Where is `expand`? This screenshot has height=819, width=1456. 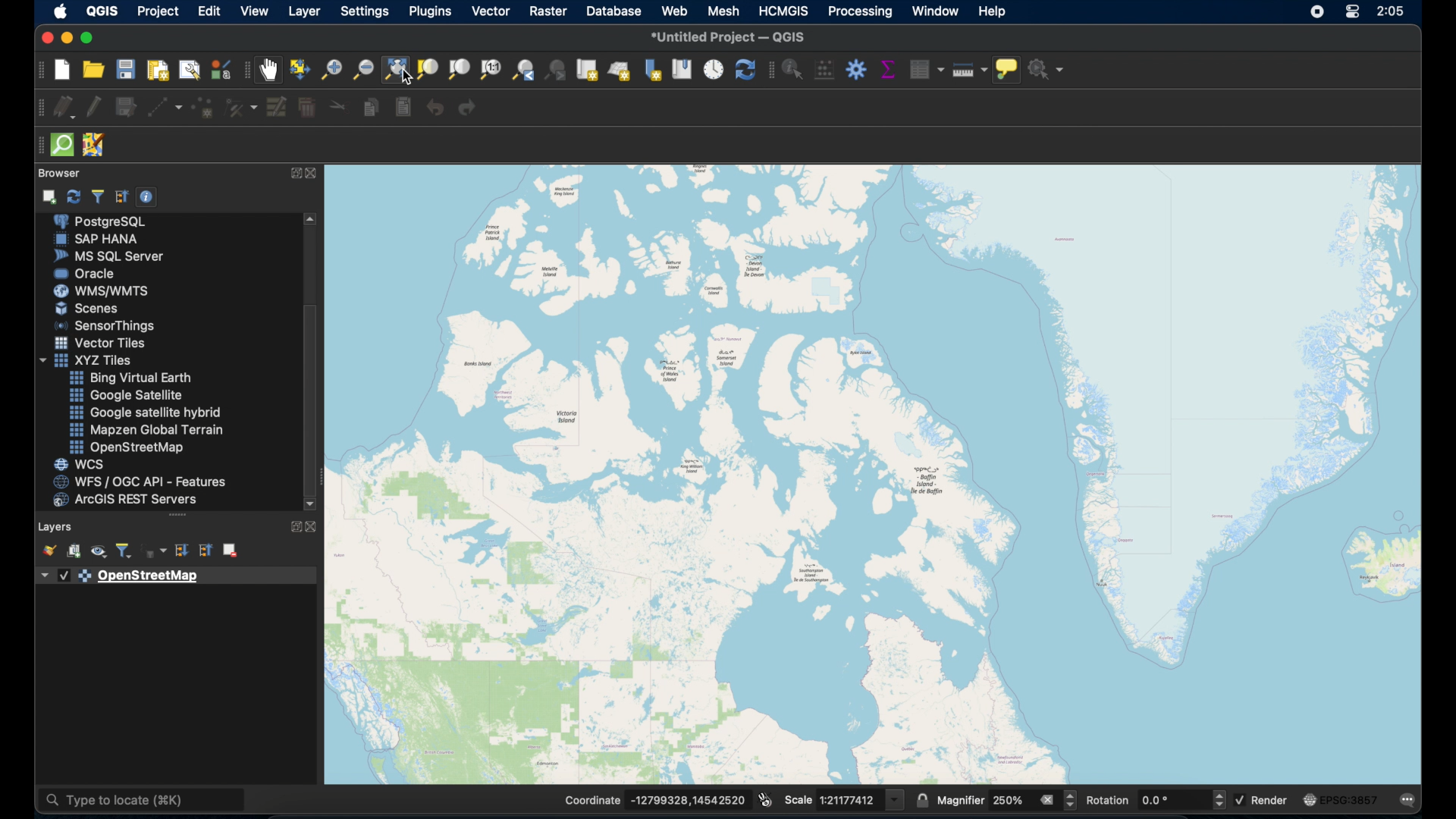
expand is located at coordinates (294, 174).